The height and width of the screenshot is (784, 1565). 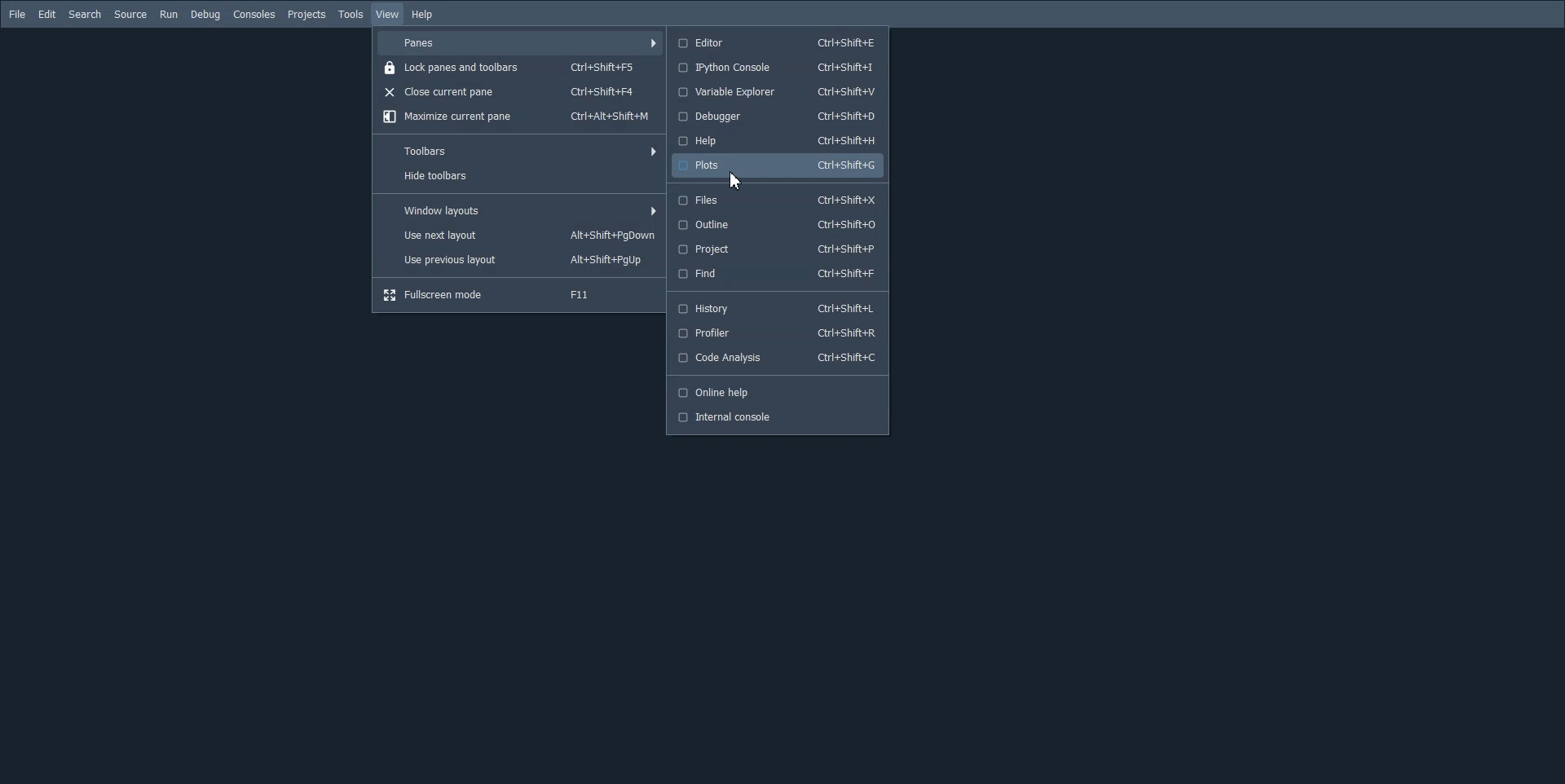 I want to click on Cursor, so click(x=737, y=179).